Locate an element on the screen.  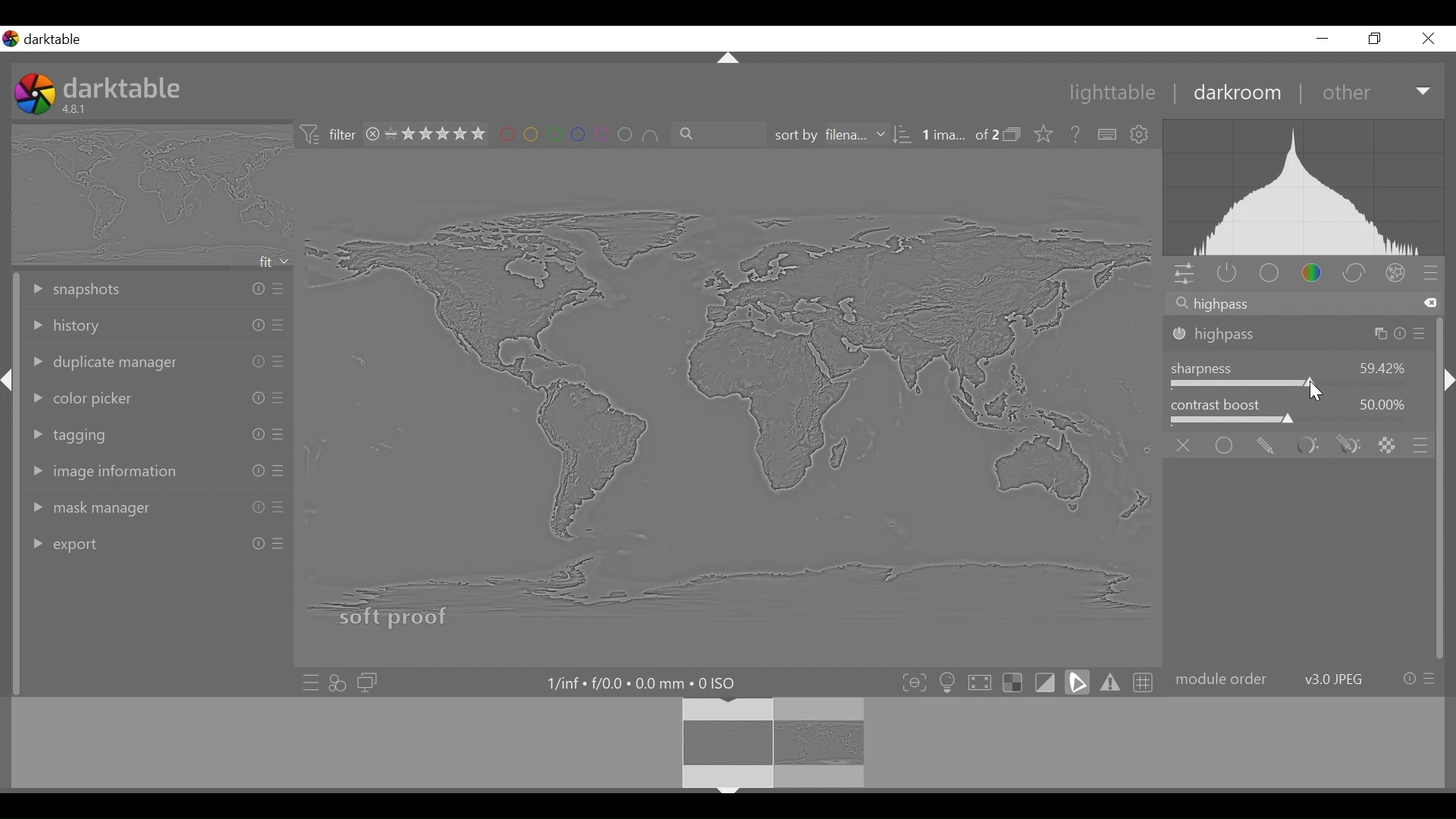
filter by text from images is located at coordinates (717, 133).